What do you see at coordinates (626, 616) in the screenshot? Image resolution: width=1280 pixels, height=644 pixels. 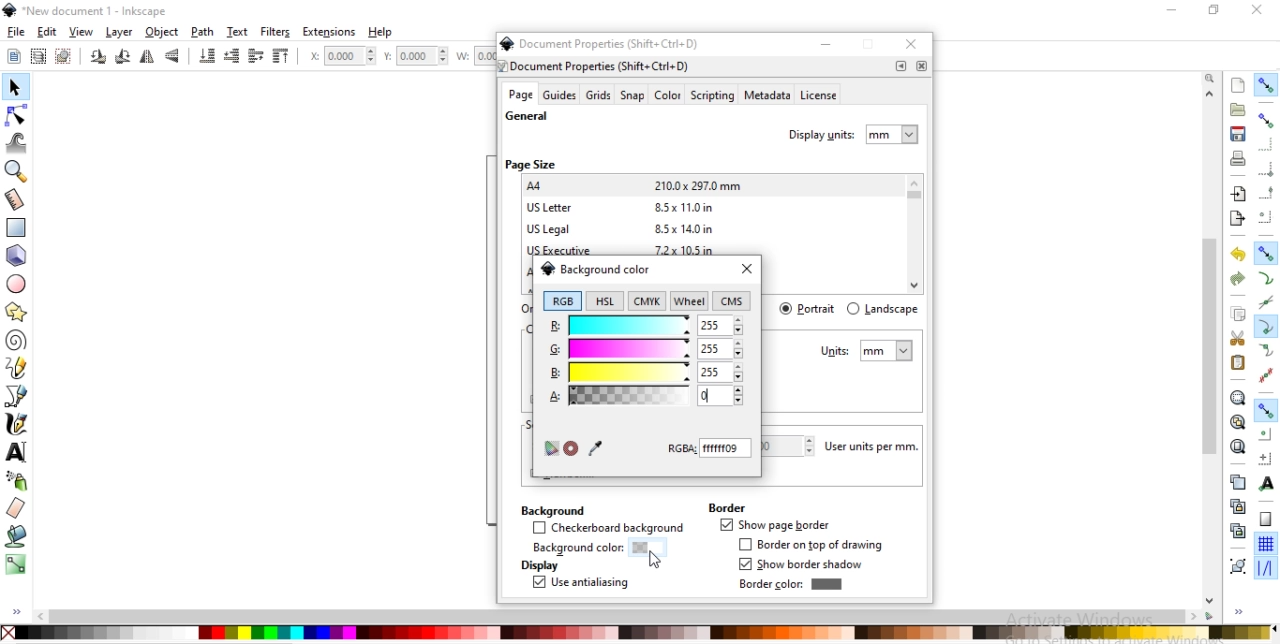 I see `scrollbar` at bounding box center [626, 616].